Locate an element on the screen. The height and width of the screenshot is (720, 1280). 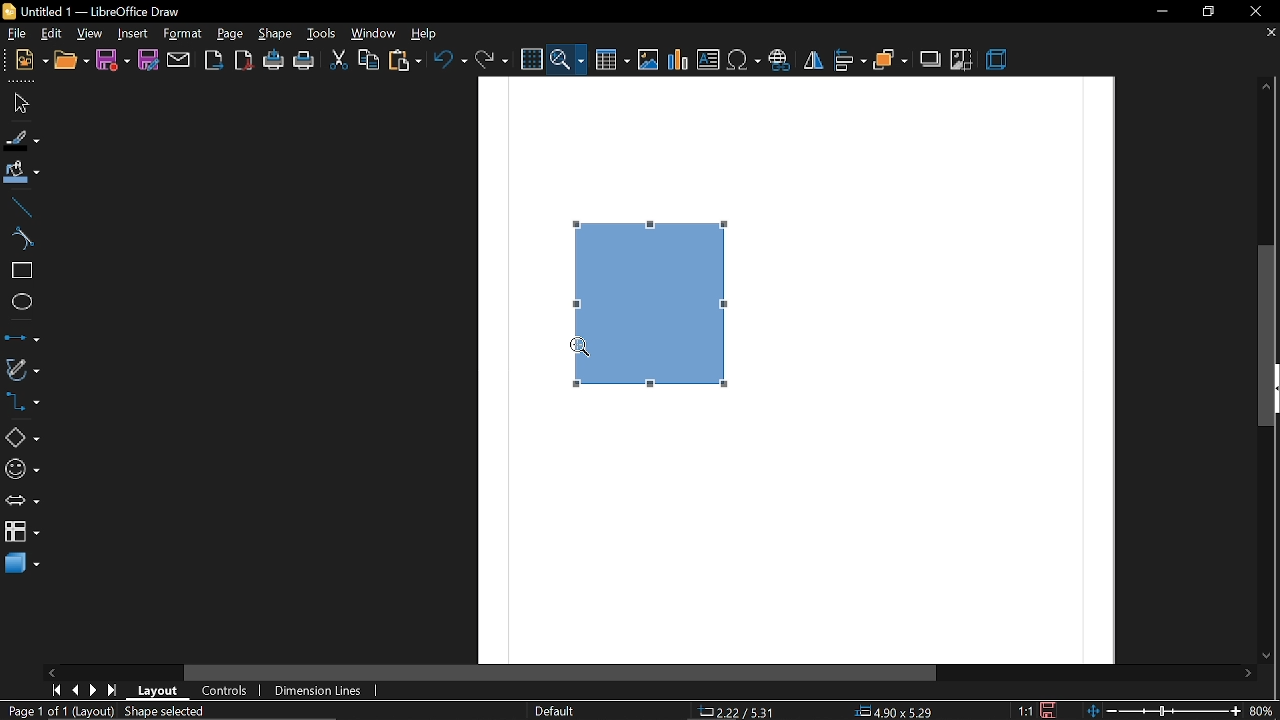
new is located at coordinates (31, 62).